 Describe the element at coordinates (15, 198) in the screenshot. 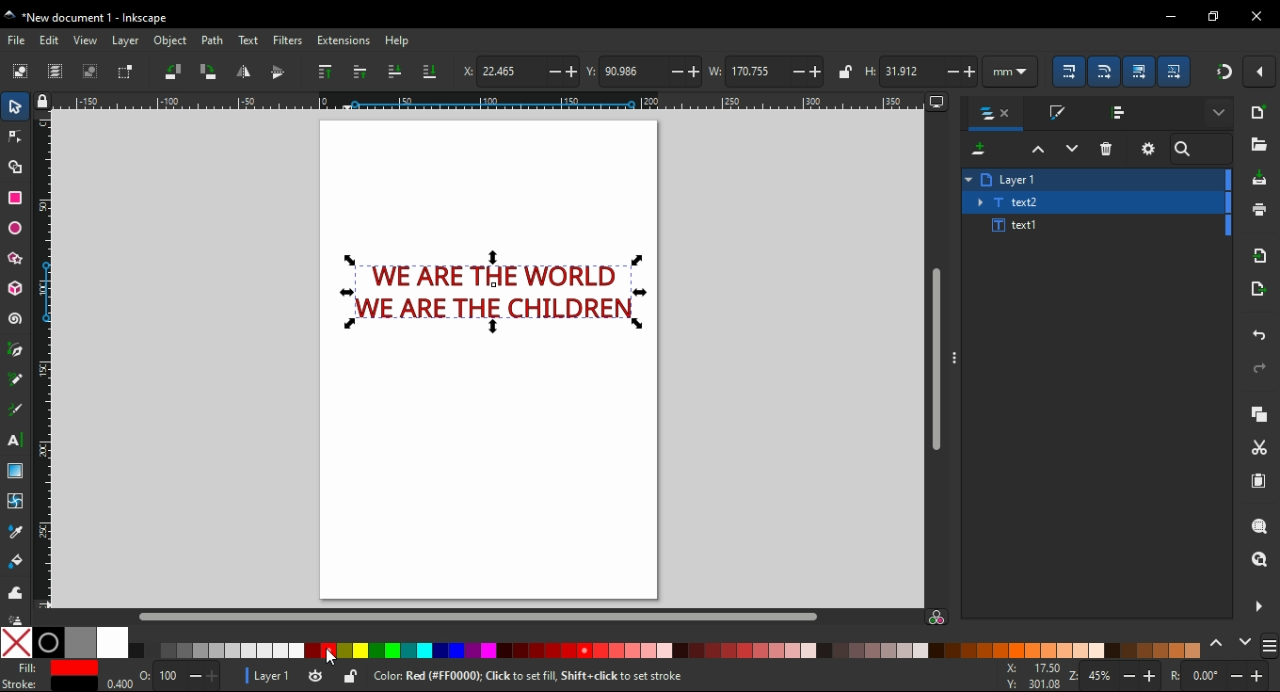

I see `rectangle tool` at that location.